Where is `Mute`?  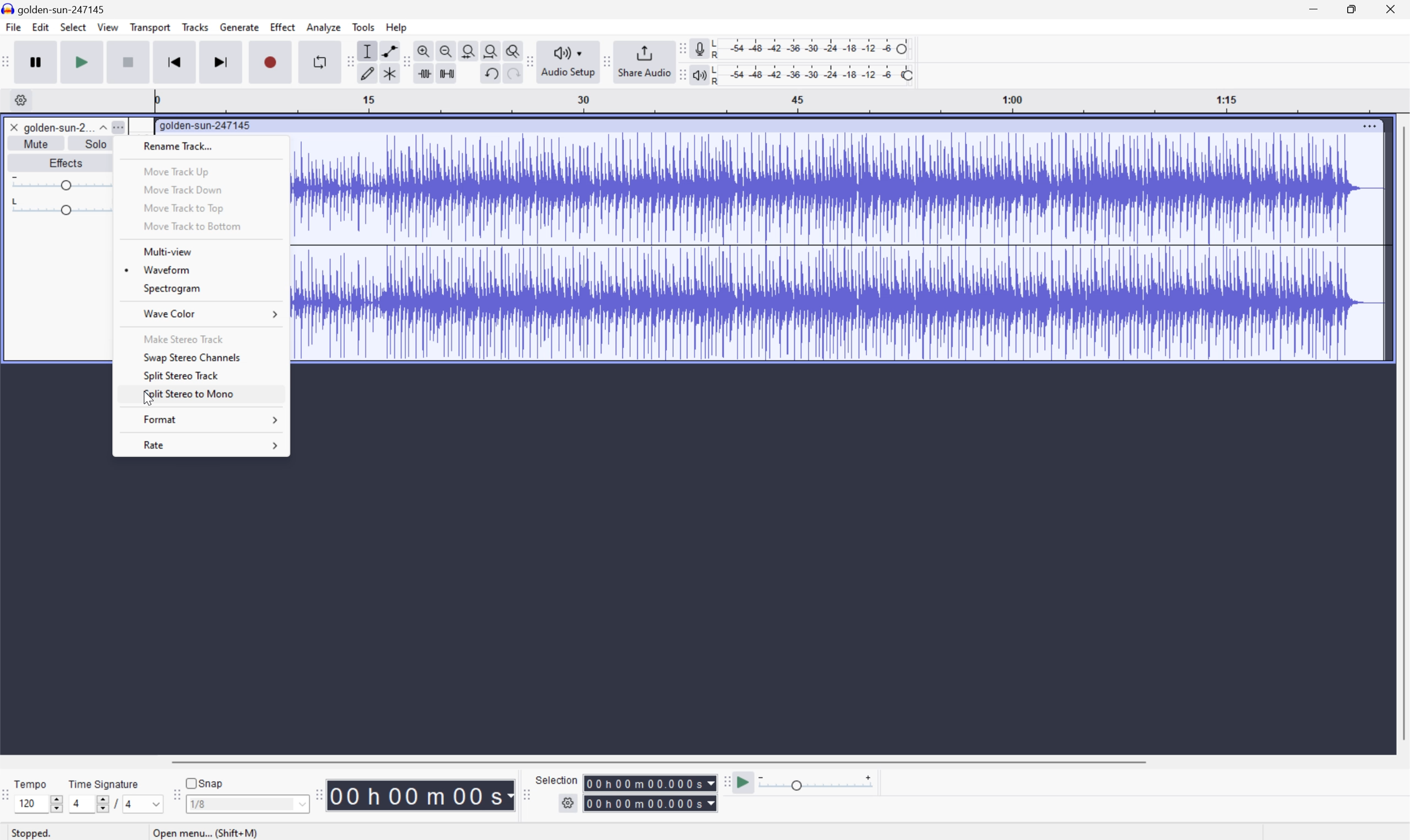 Mute is located at coordinates (35, 144).